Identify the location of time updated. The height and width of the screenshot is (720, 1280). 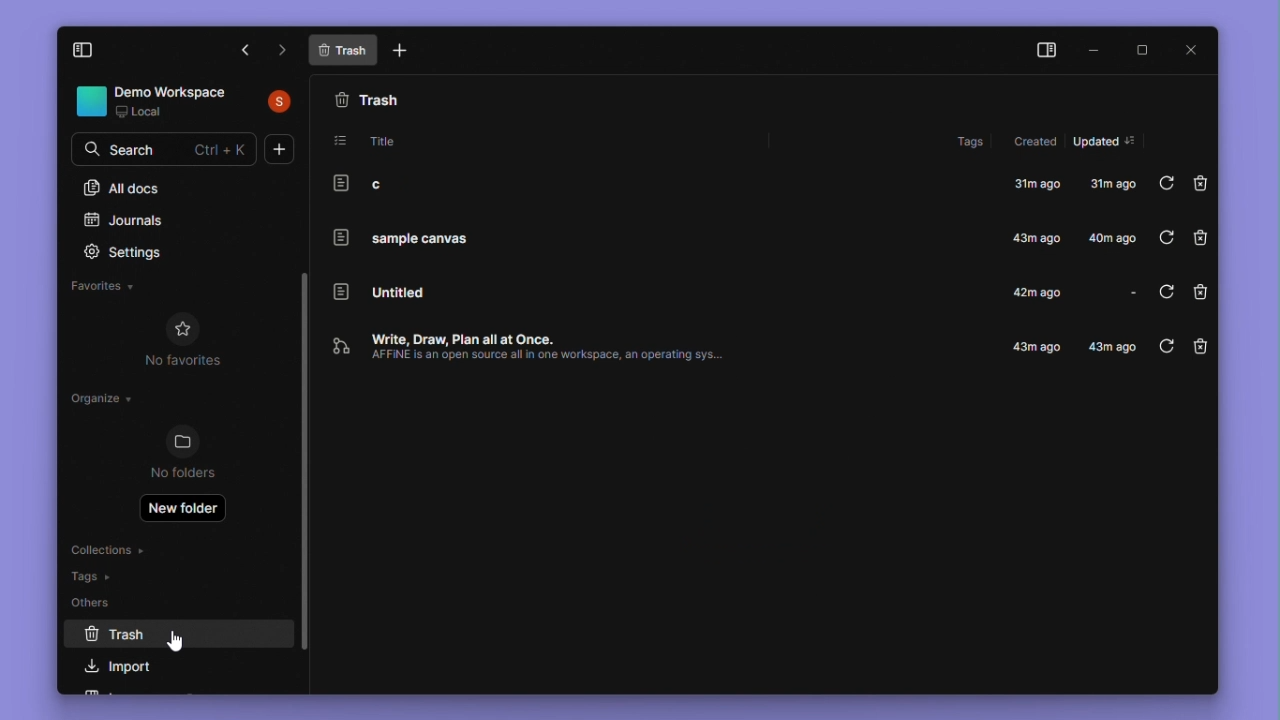
(1121, 294).